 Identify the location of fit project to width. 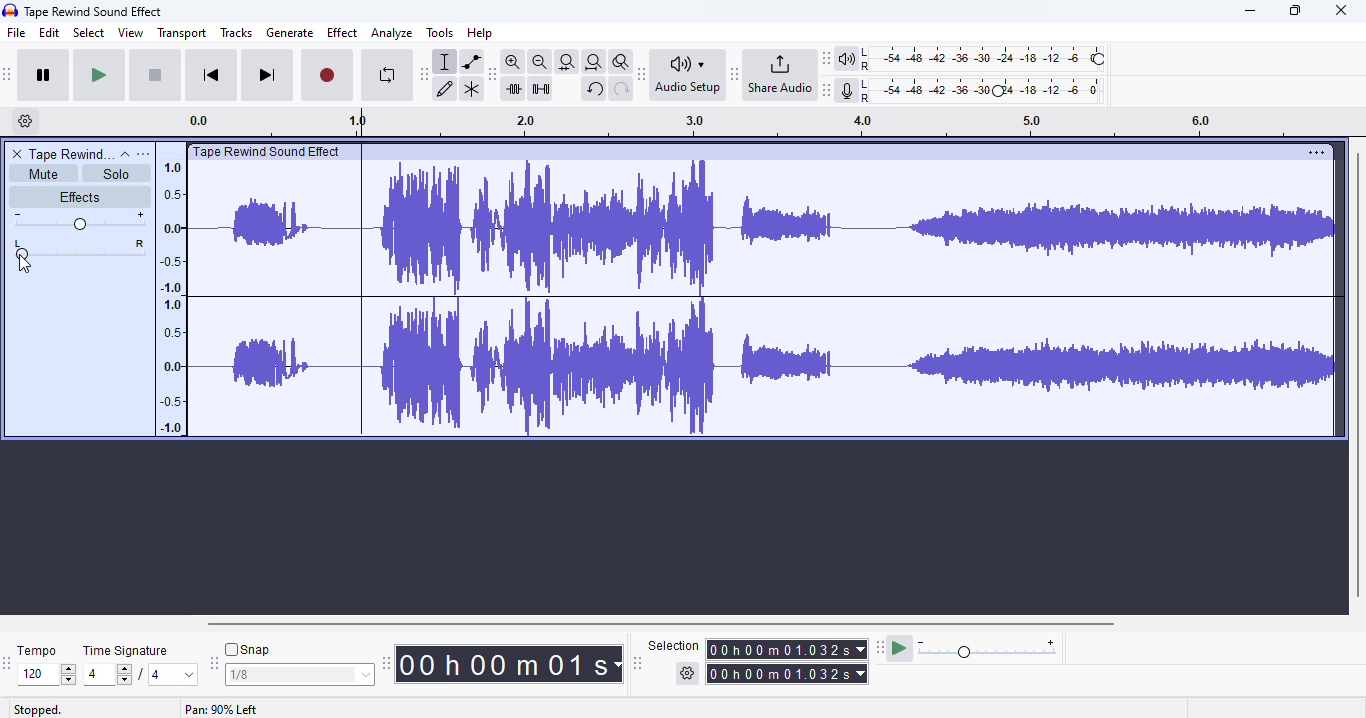
(594, 62).